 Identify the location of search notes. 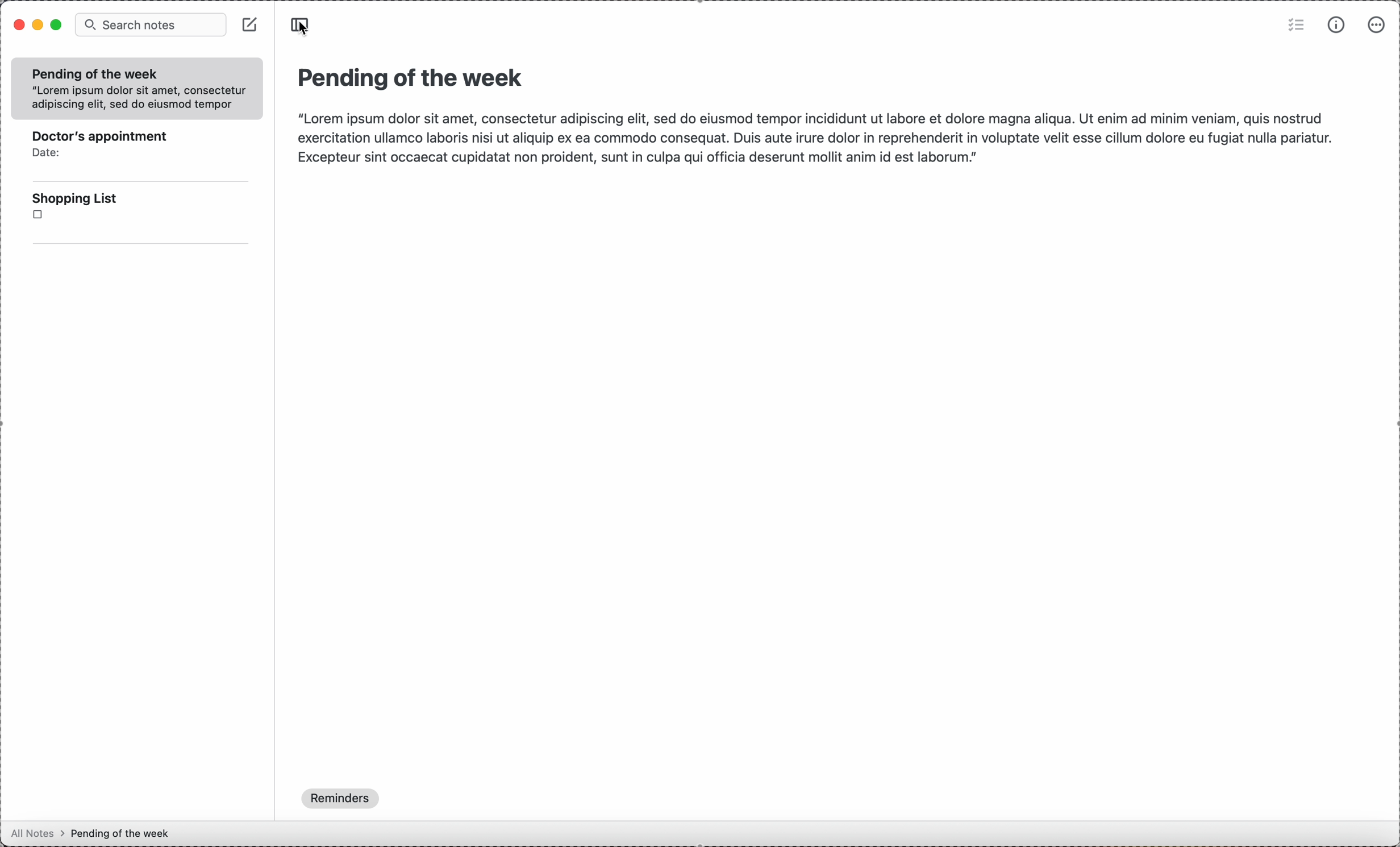
(151, 24).